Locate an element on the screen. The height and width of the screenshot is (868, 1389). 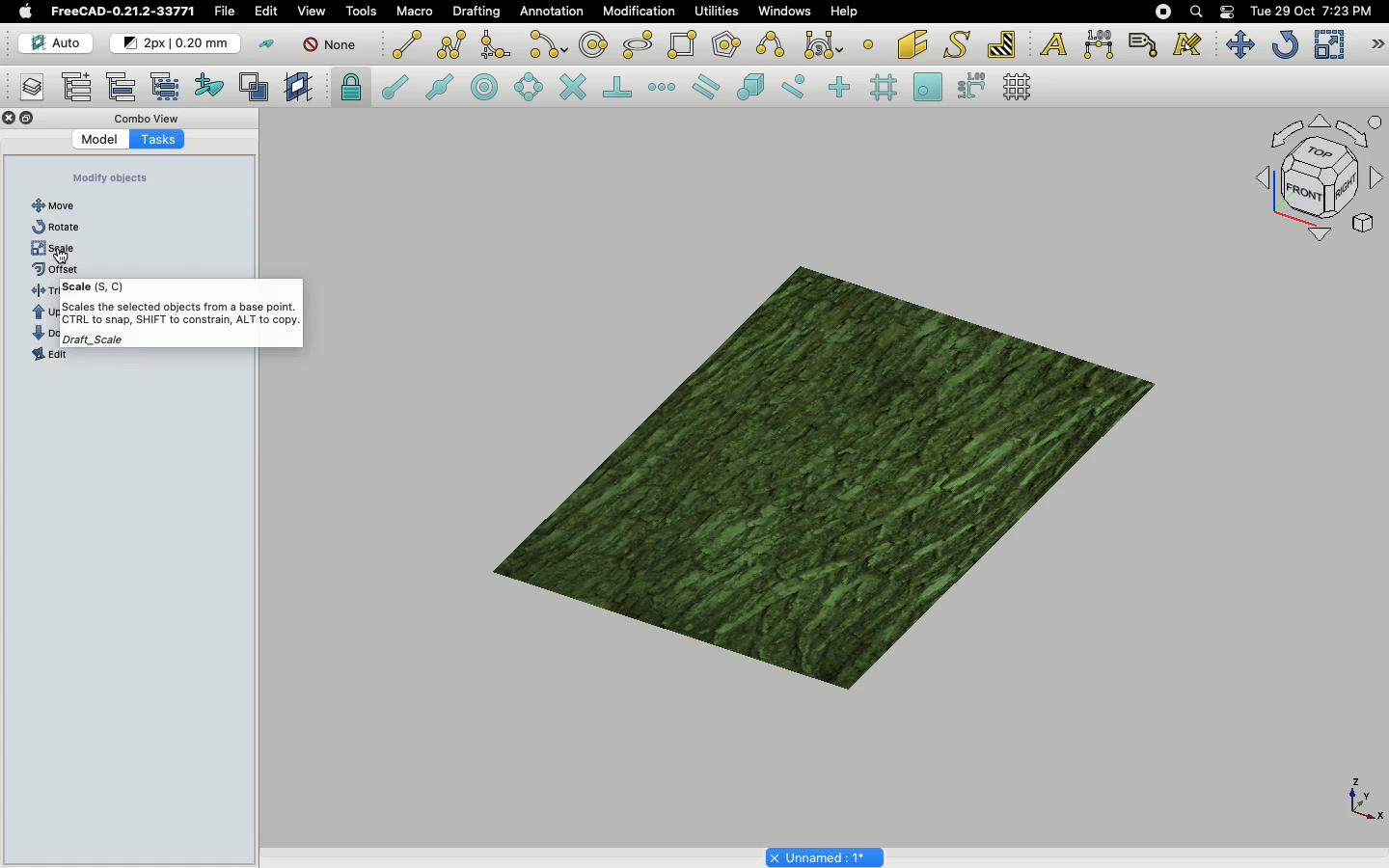
Create objects is located at coordinates (109, 178).